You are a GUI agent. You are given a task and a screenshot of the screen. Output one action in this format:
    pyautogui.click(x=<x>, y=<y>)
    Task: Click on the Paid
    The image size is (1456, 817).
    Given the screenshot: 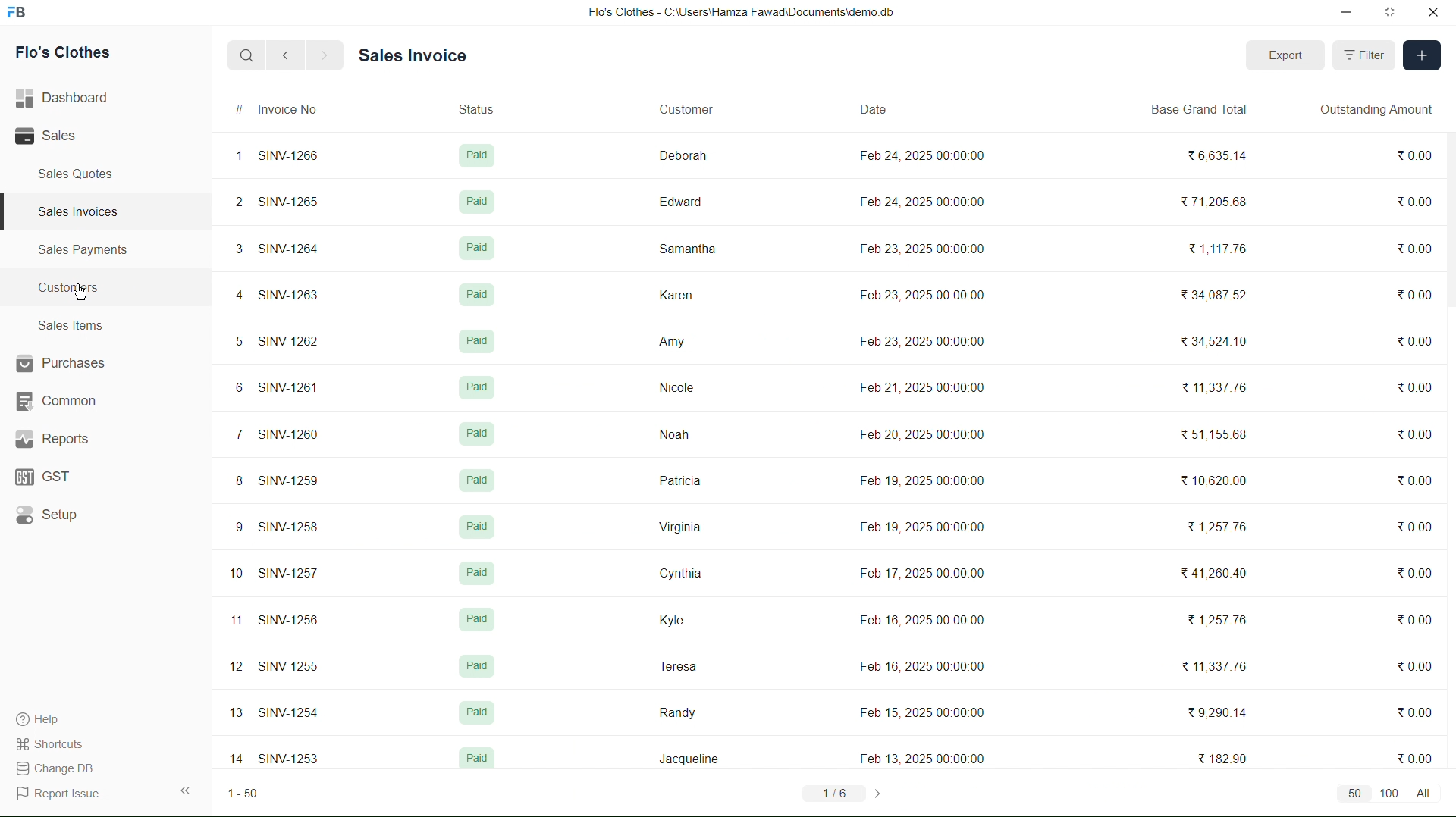 What is the action you would take?
    pyautogui.click(x=474, y=387)
    